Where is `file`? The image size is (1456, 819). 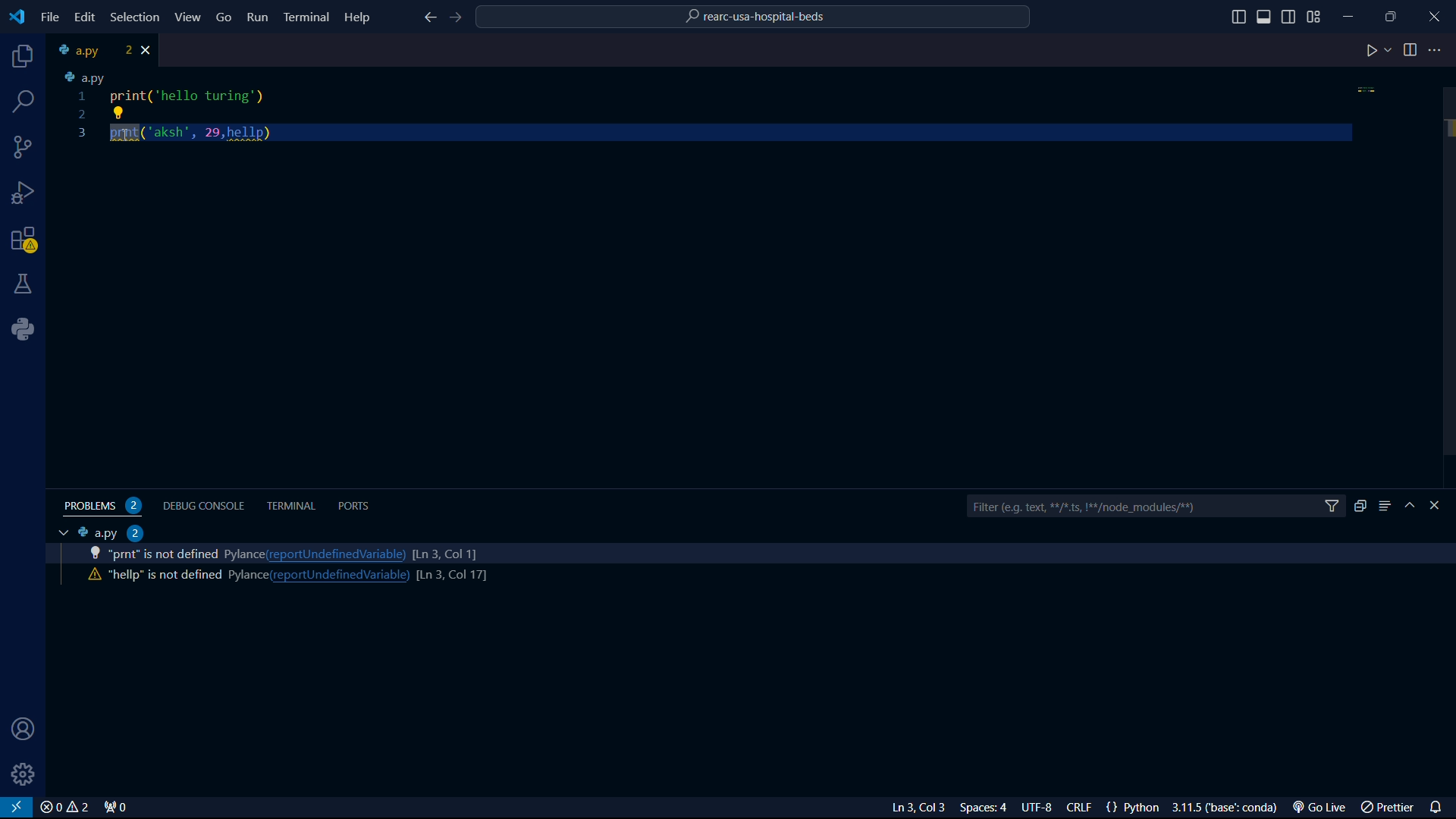 file is located at coordinates (50, 17).